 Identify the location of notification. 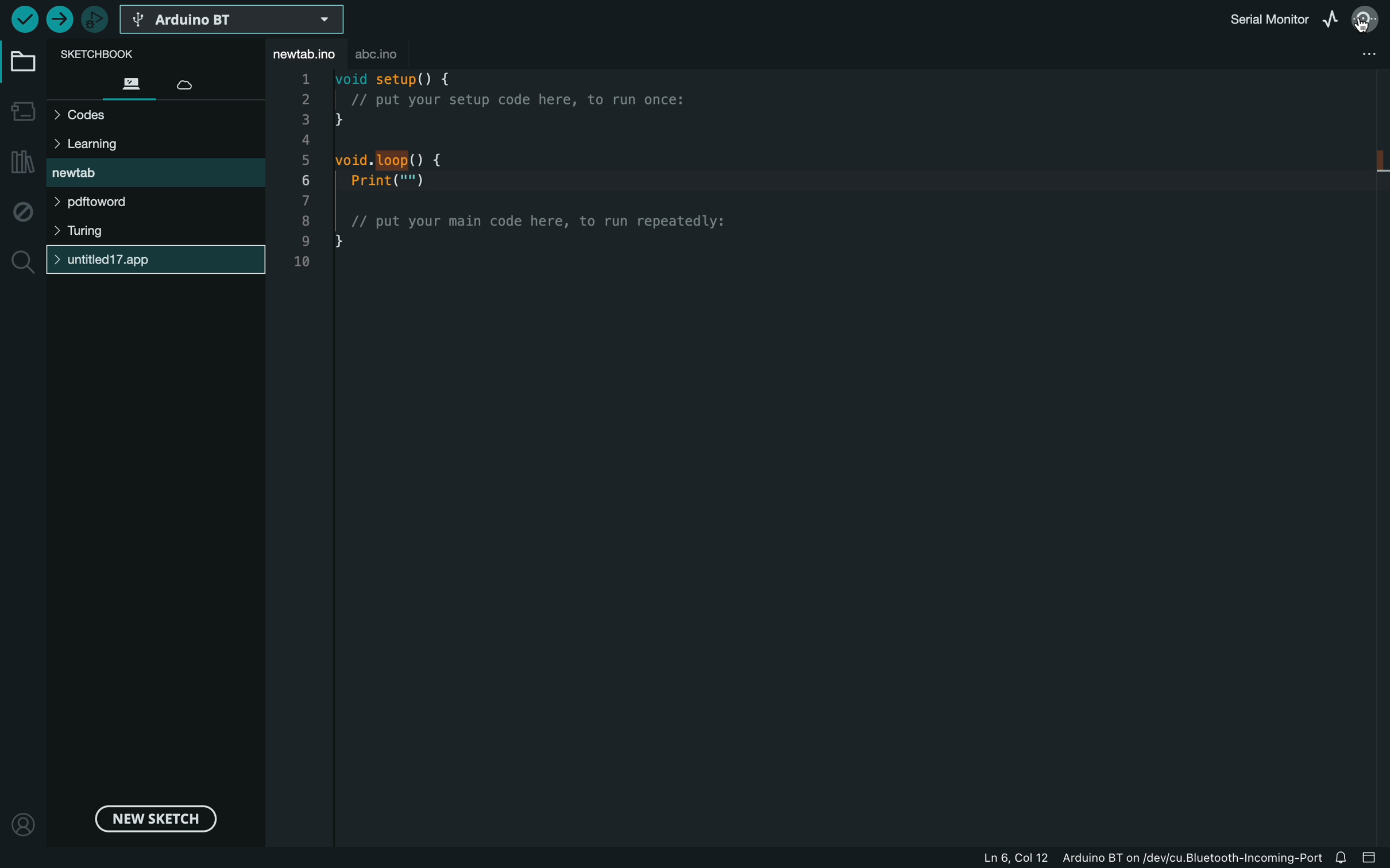
(1346, 859).